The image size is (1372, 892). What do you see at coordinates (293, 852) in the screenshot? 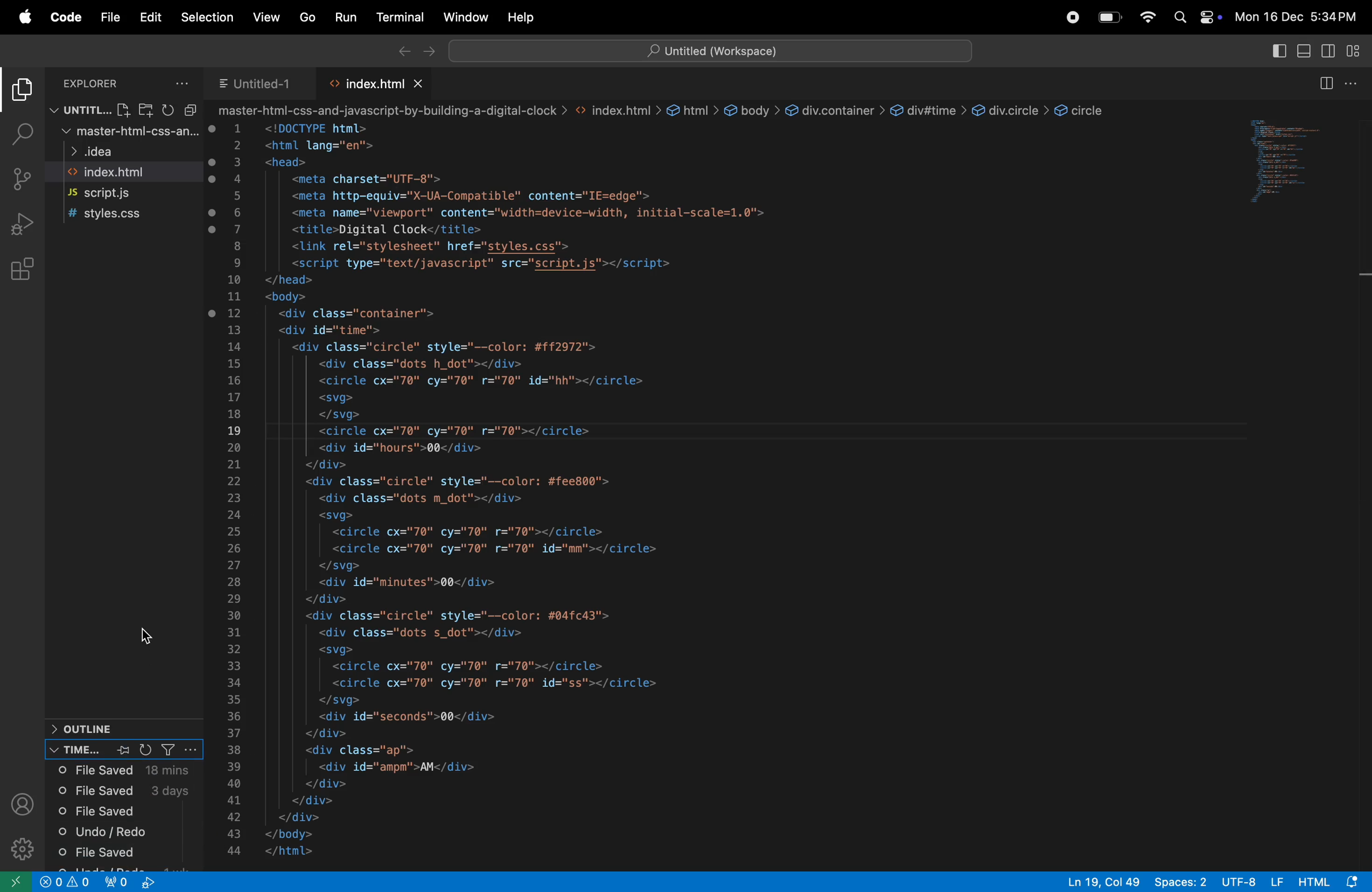
I see `</html>` at bounding box center [293, 852].